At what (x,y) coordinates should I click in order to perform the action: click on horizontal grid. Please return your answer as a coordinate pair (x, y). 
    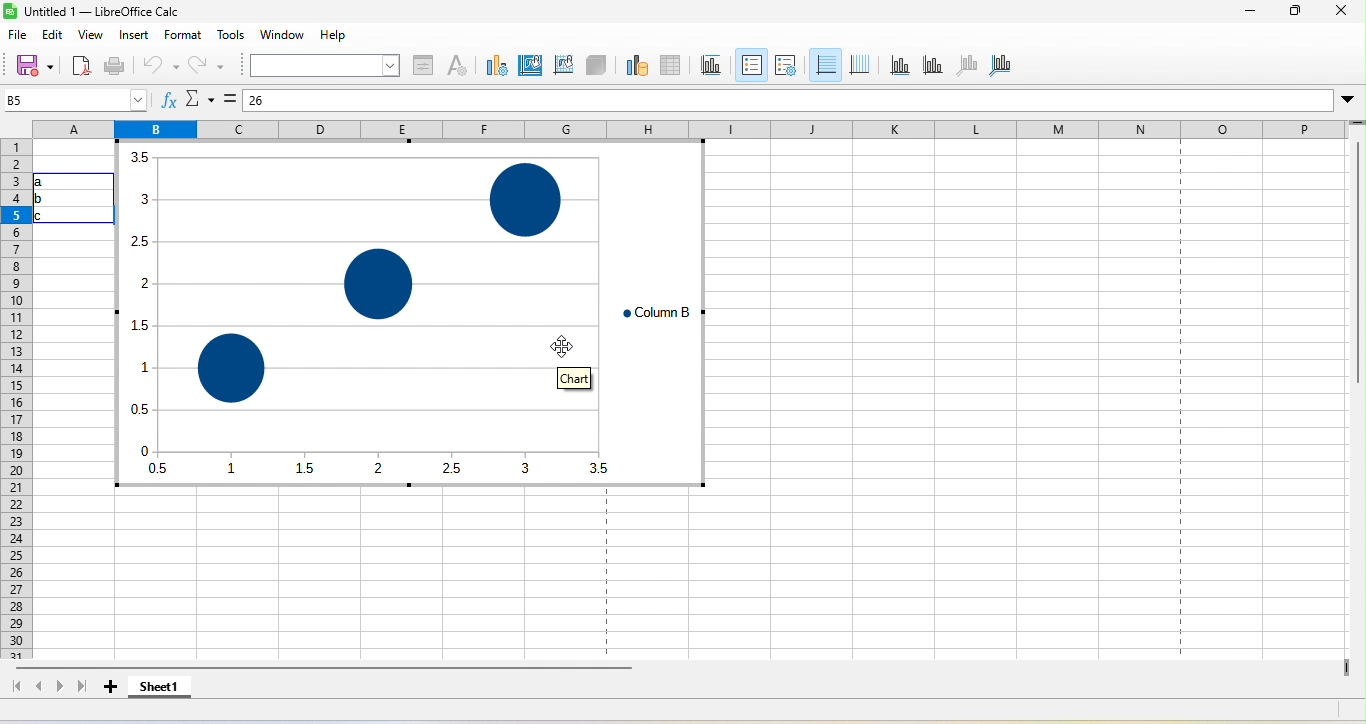
    Looking at the image, I should click on (826, 64).